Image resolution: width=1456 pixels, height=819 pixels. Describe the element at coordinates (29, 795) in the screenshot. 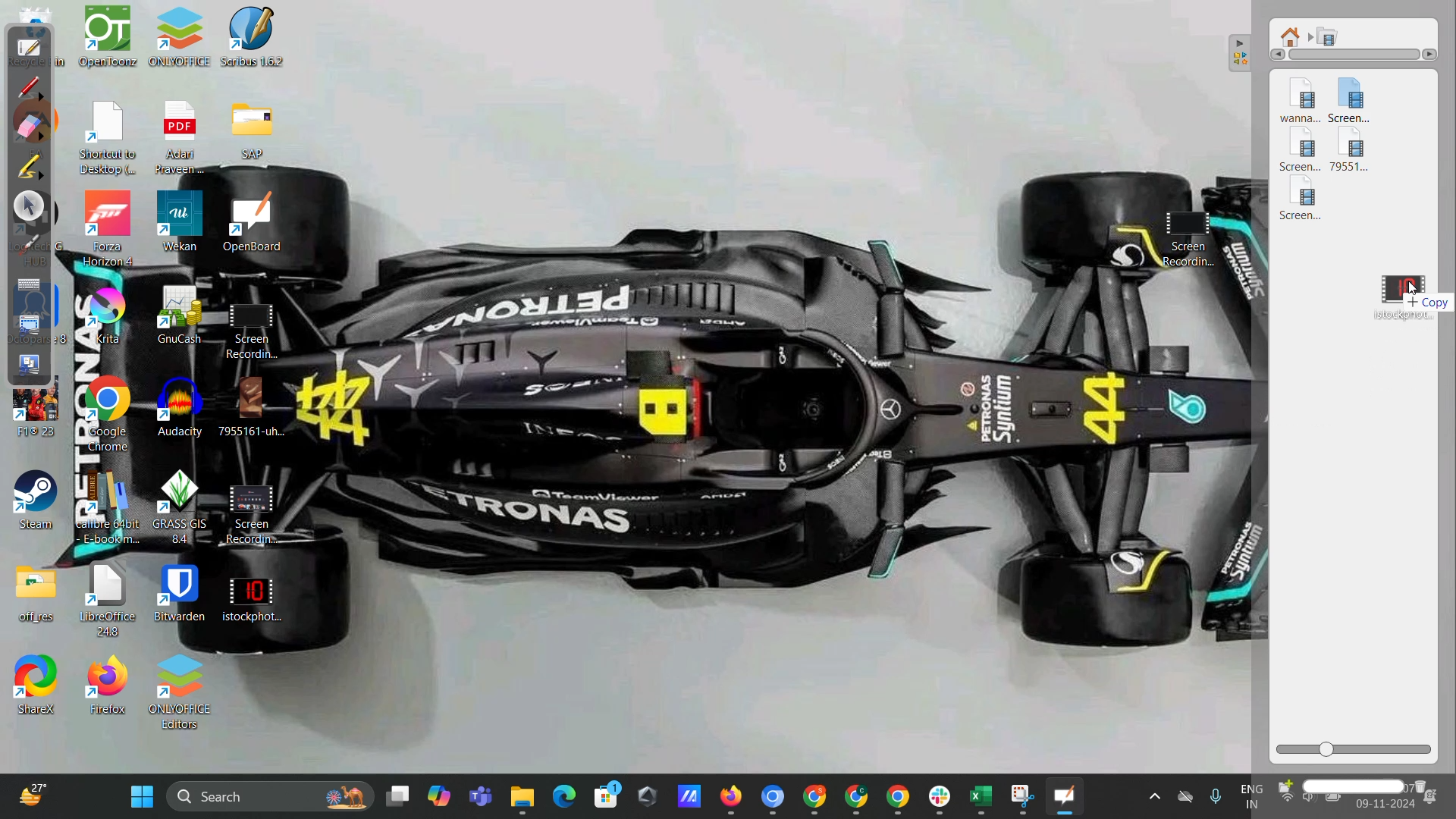

I see `weather shortcut` at that location.